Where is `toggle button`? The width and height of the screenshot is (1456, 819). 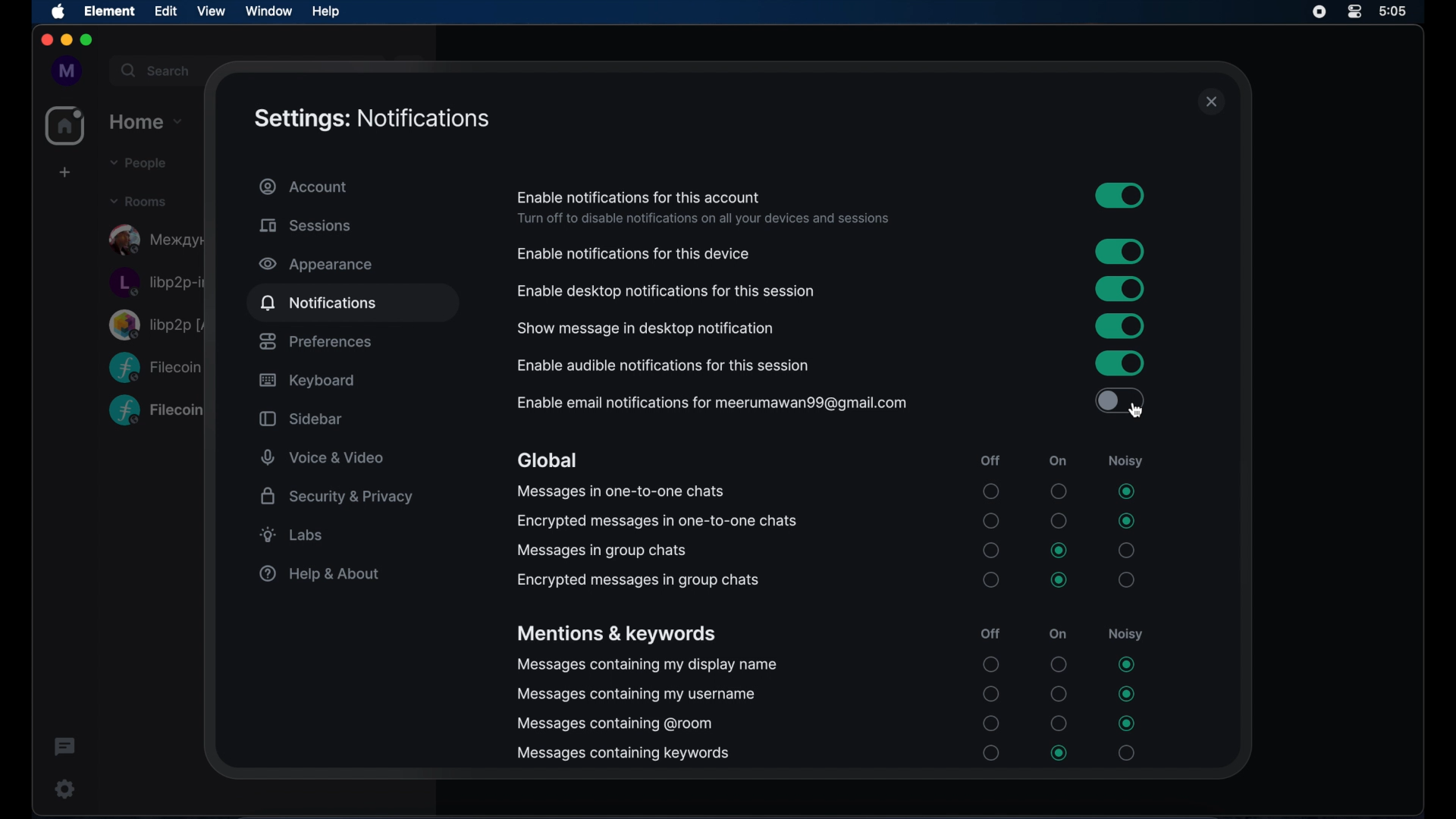 toggle button is located at coordinates (1120, 252).